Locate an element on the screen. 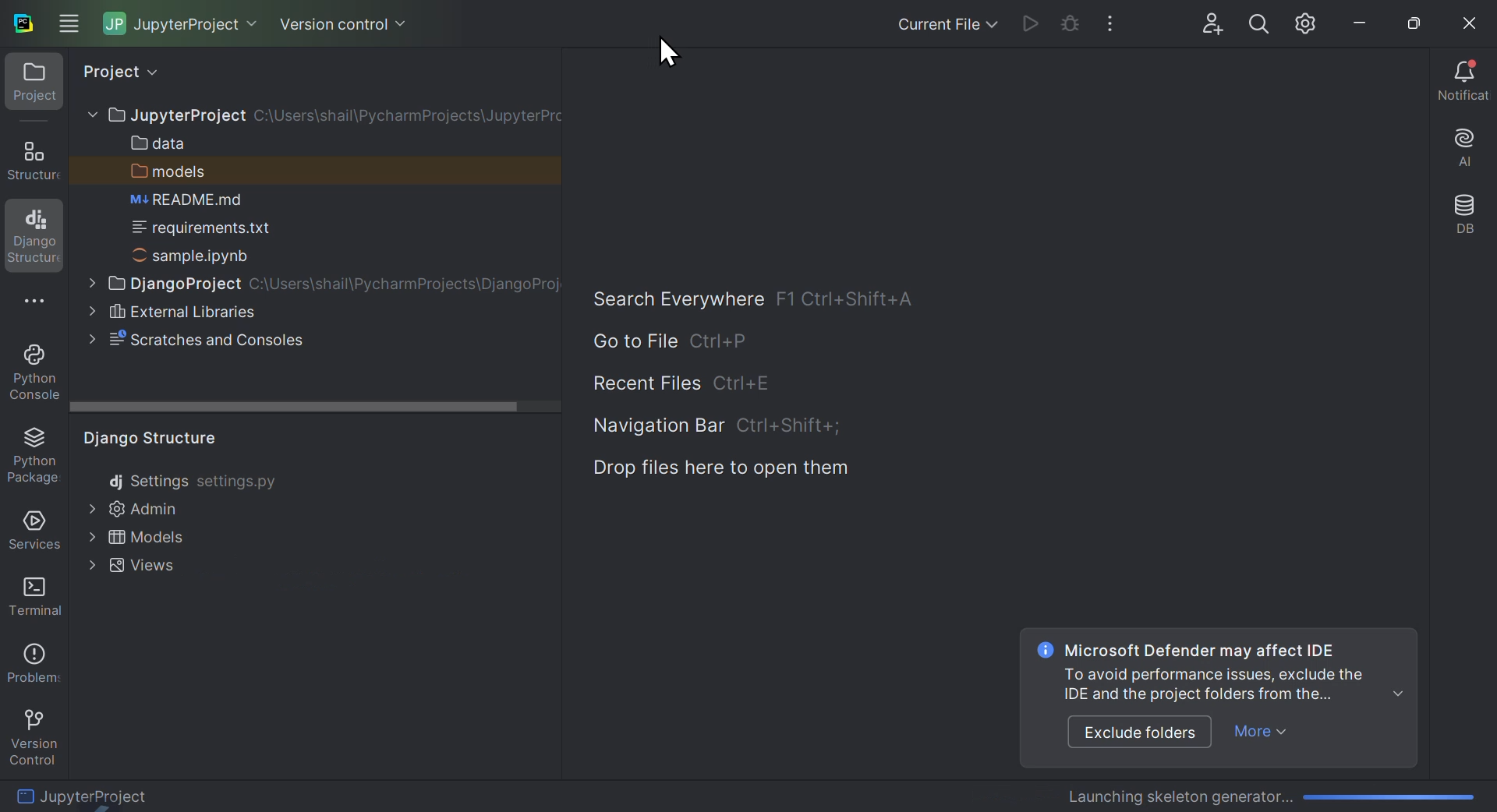  External libraries is located at coordinates (180, 312).